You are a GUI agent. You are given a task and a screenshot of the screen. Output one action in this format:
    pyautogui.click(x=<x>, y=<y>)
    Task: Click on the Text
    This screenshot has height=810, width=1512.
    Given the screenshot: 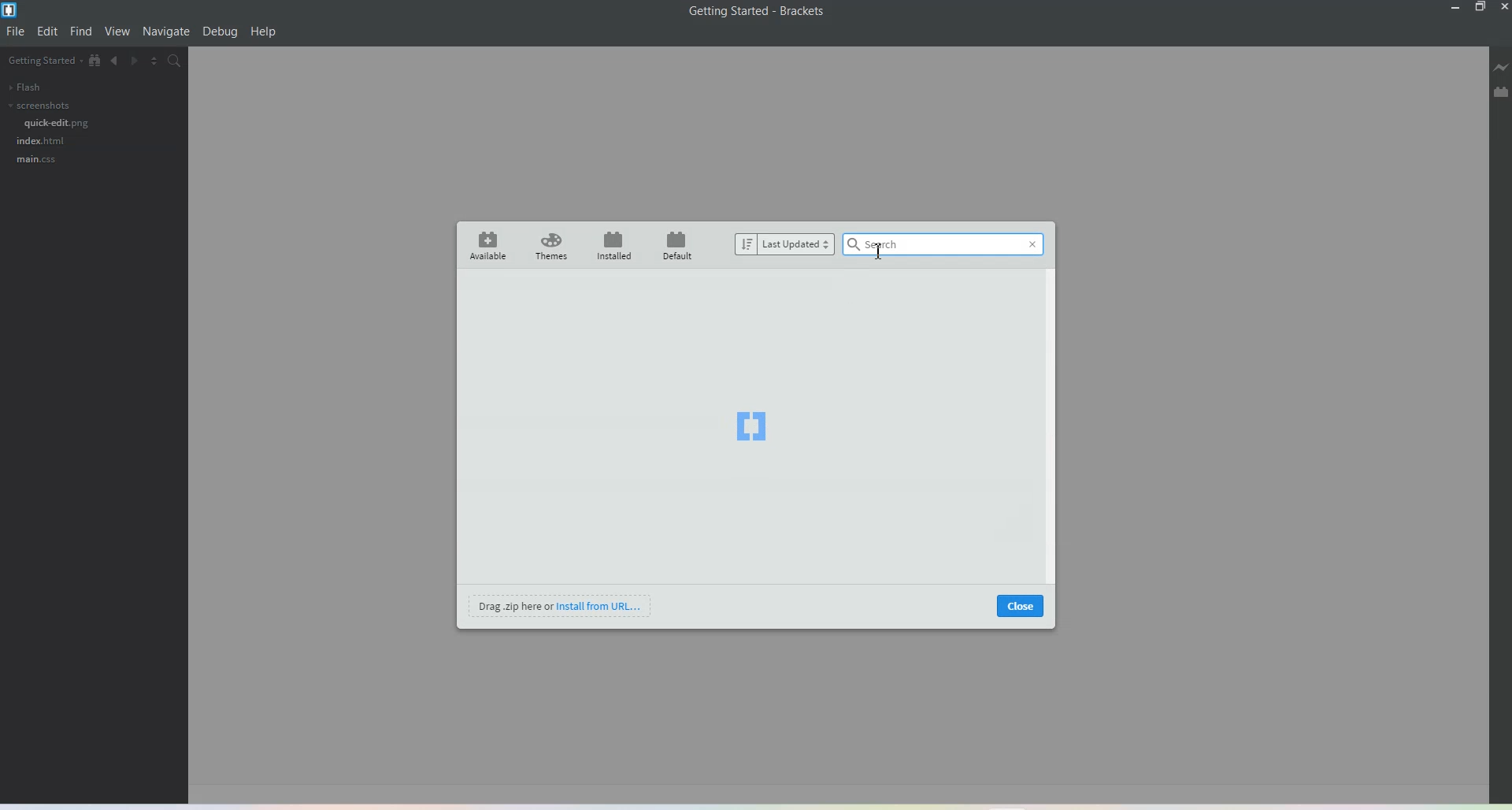 What is the action you would take?
    pyautogui.click(x=758, y=11)
    